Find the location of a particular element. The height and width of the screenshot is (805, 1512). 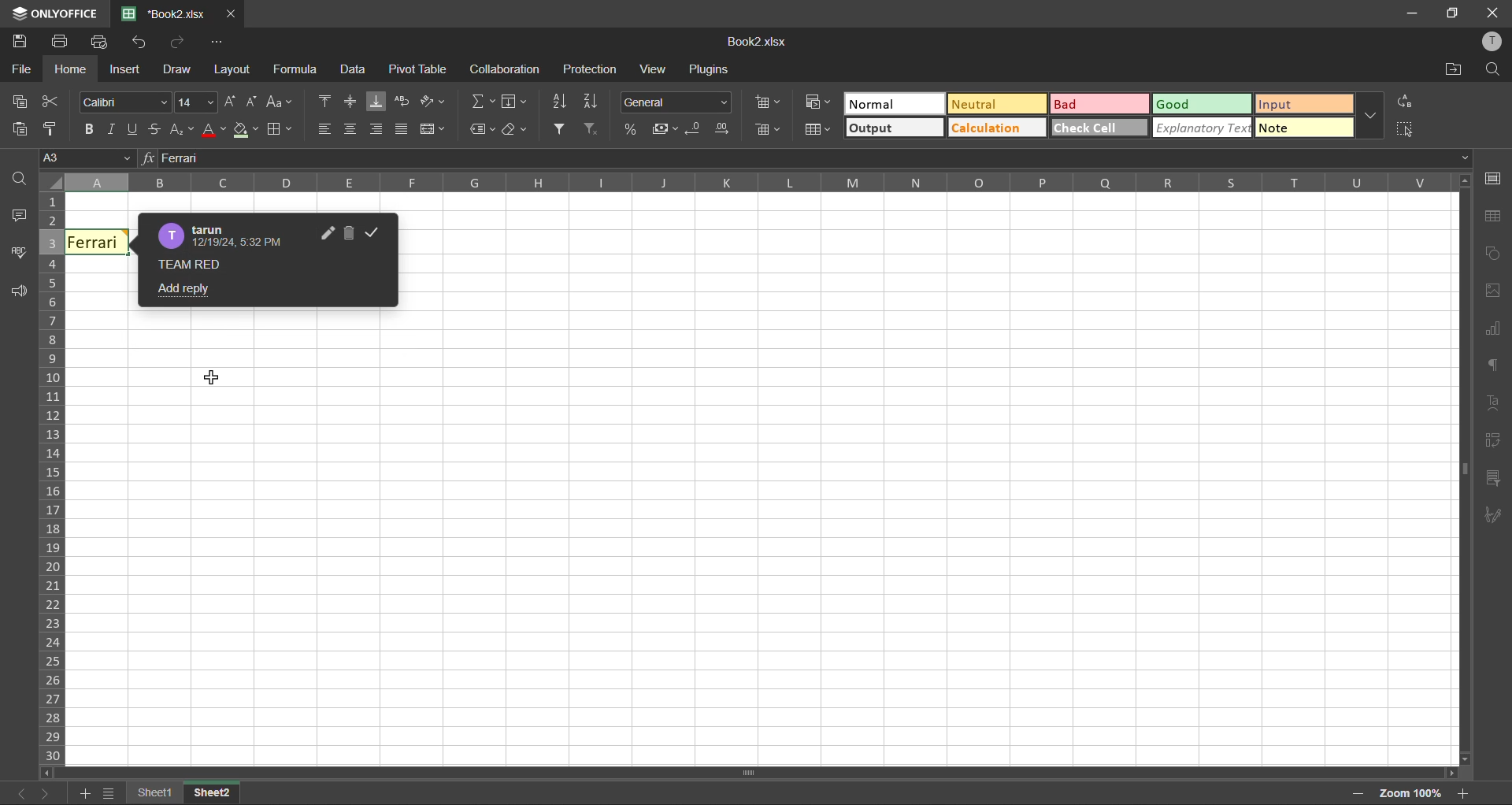

sheet 2 is located at coordinates (218, 795).